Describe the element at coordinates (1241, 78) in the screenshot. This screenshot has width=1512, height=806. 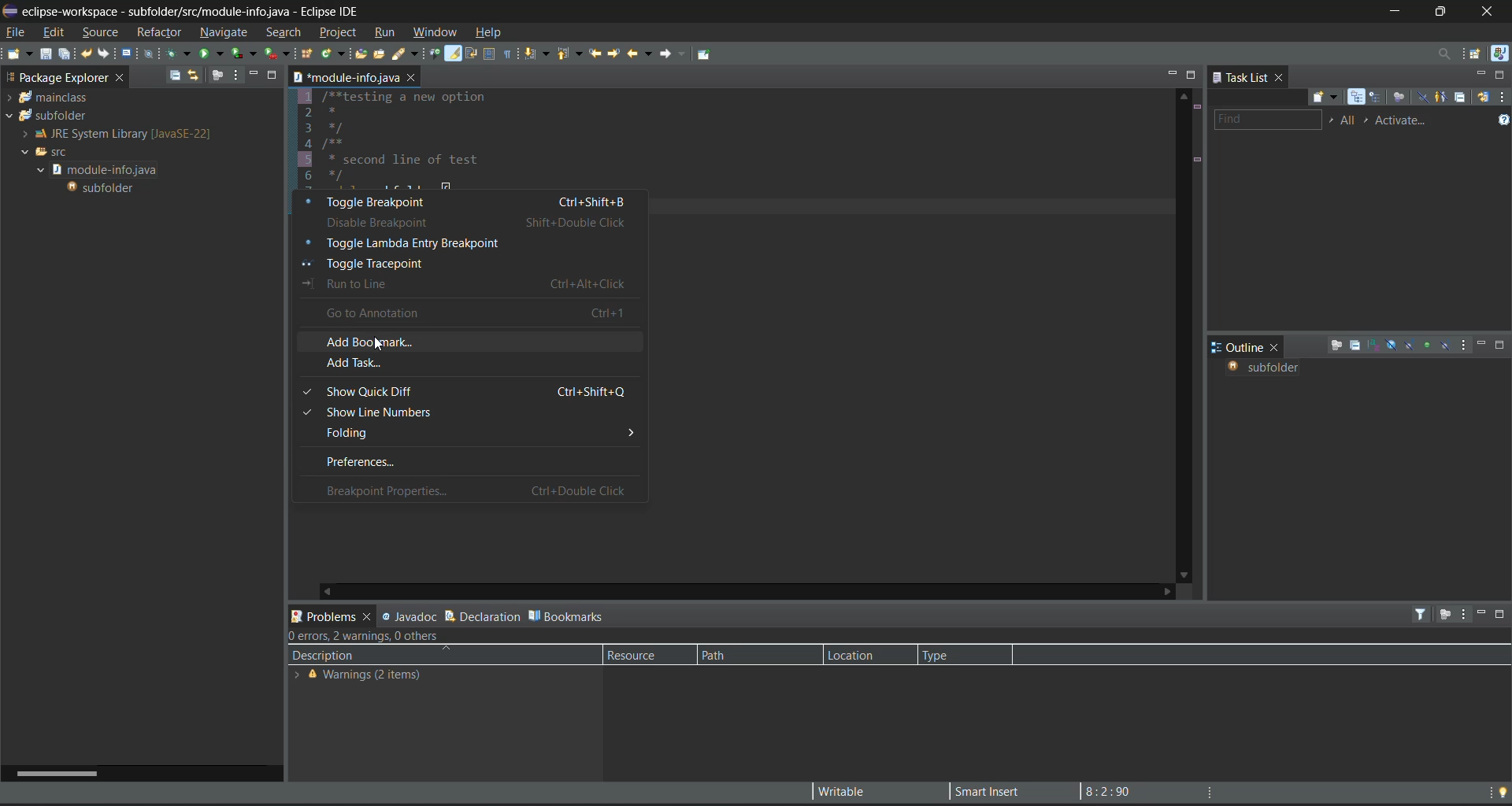
I see `task list` at that location.